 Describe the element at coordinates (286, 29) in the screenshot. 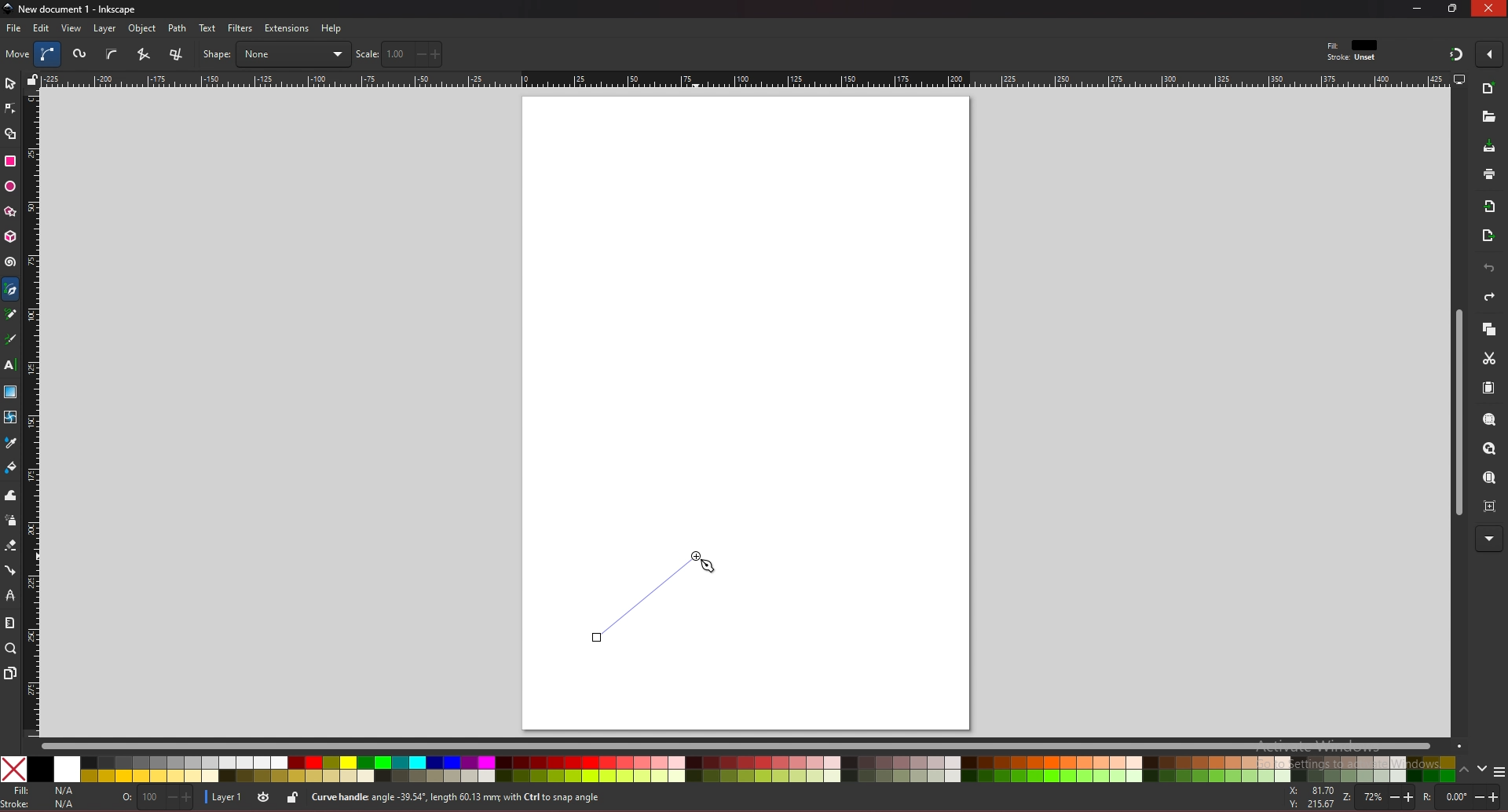

I see `extensions` at that location.